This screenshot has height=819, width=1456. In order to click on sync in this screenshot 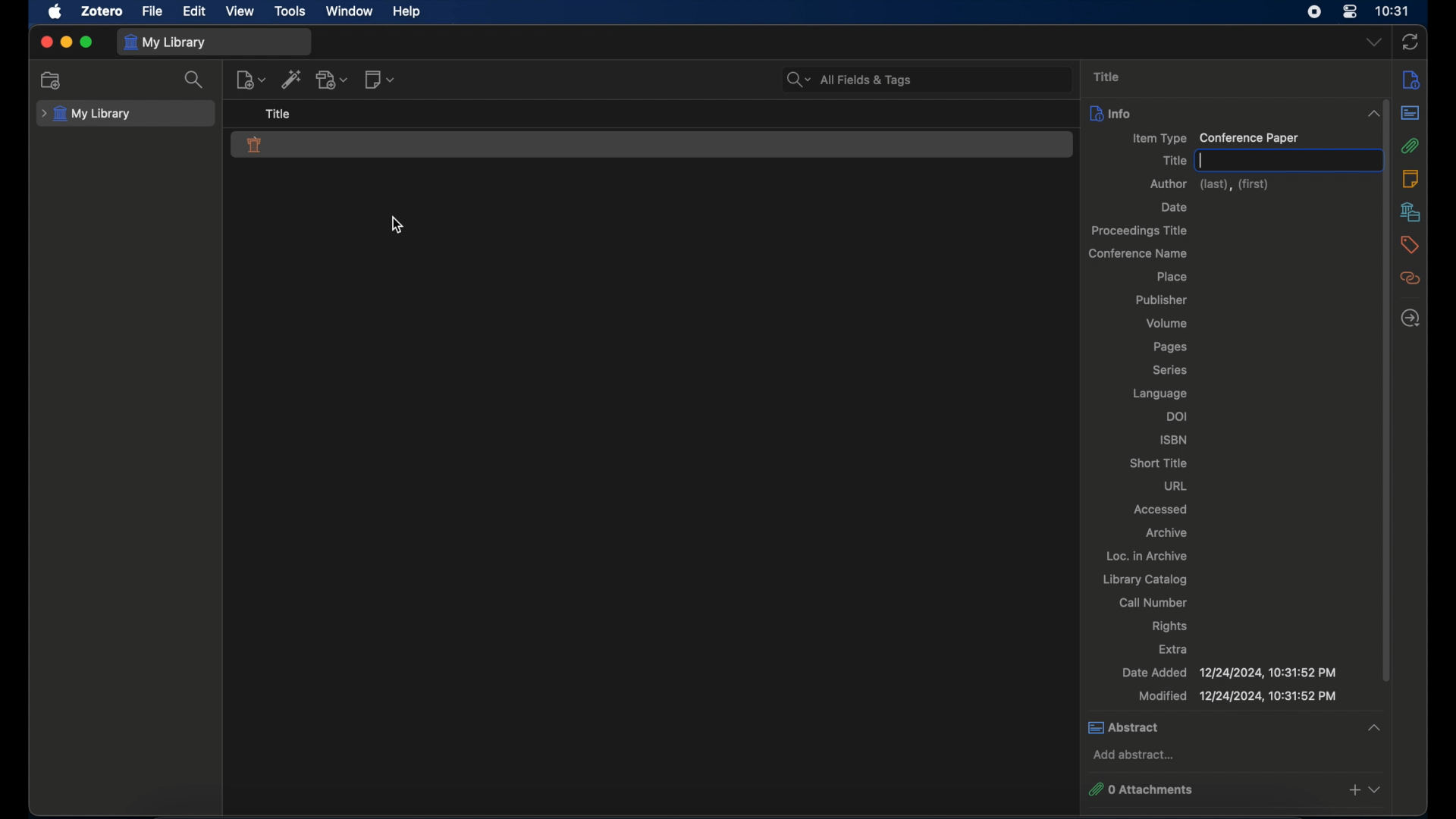, I will do `click(1410, 42)`.